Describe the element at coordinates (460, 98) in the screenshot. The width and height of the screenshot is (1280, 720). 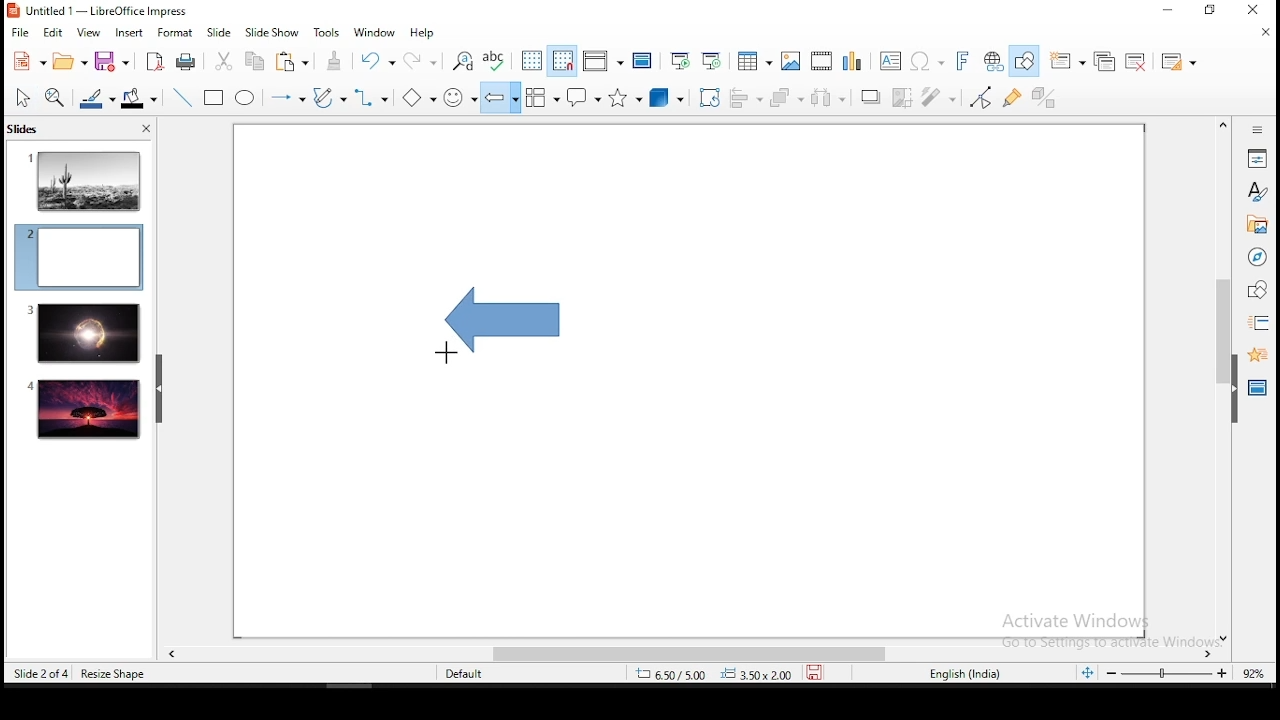
I see `symbol shapes` at that location.